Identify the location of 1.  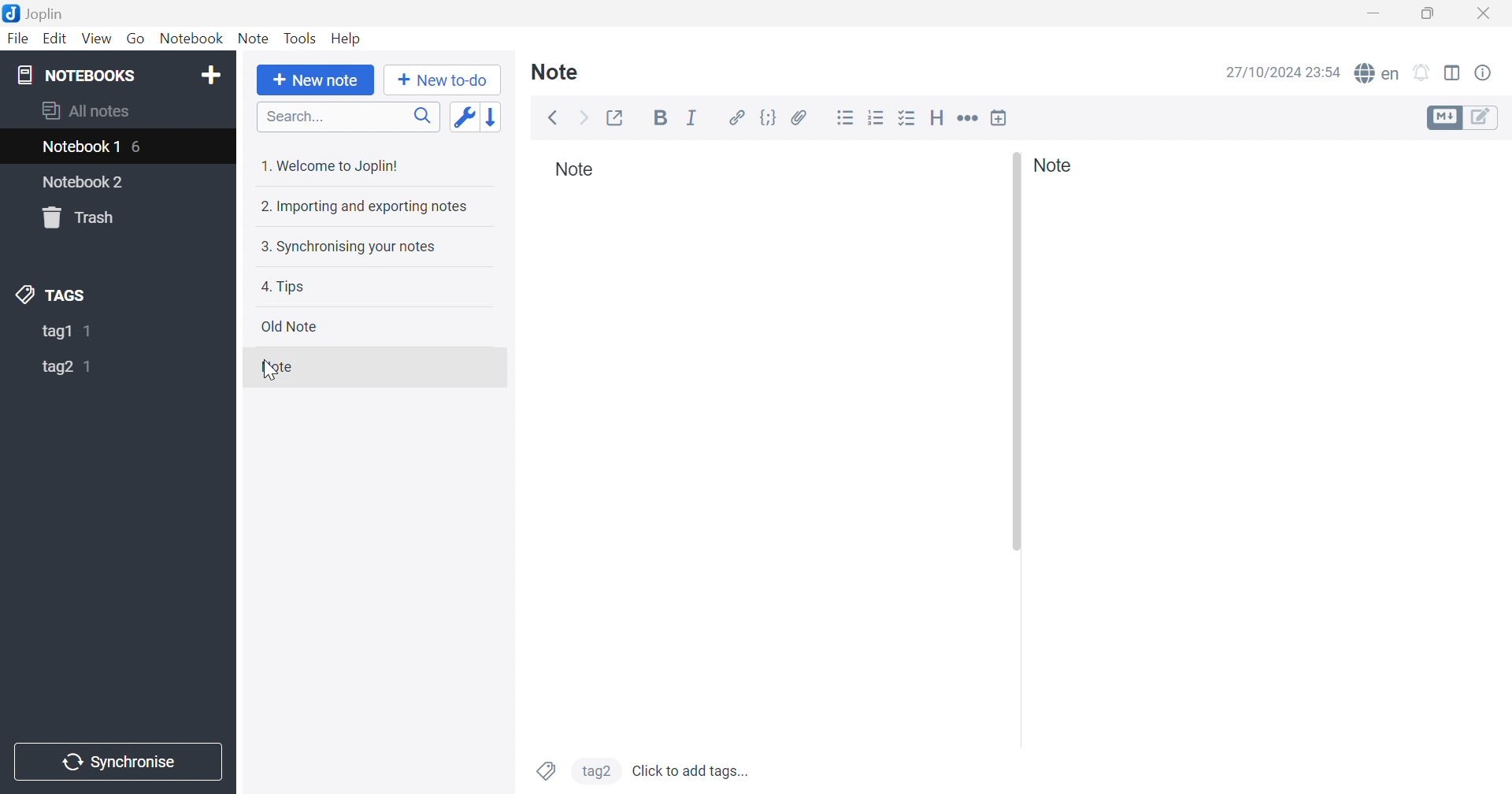
(88, 367).